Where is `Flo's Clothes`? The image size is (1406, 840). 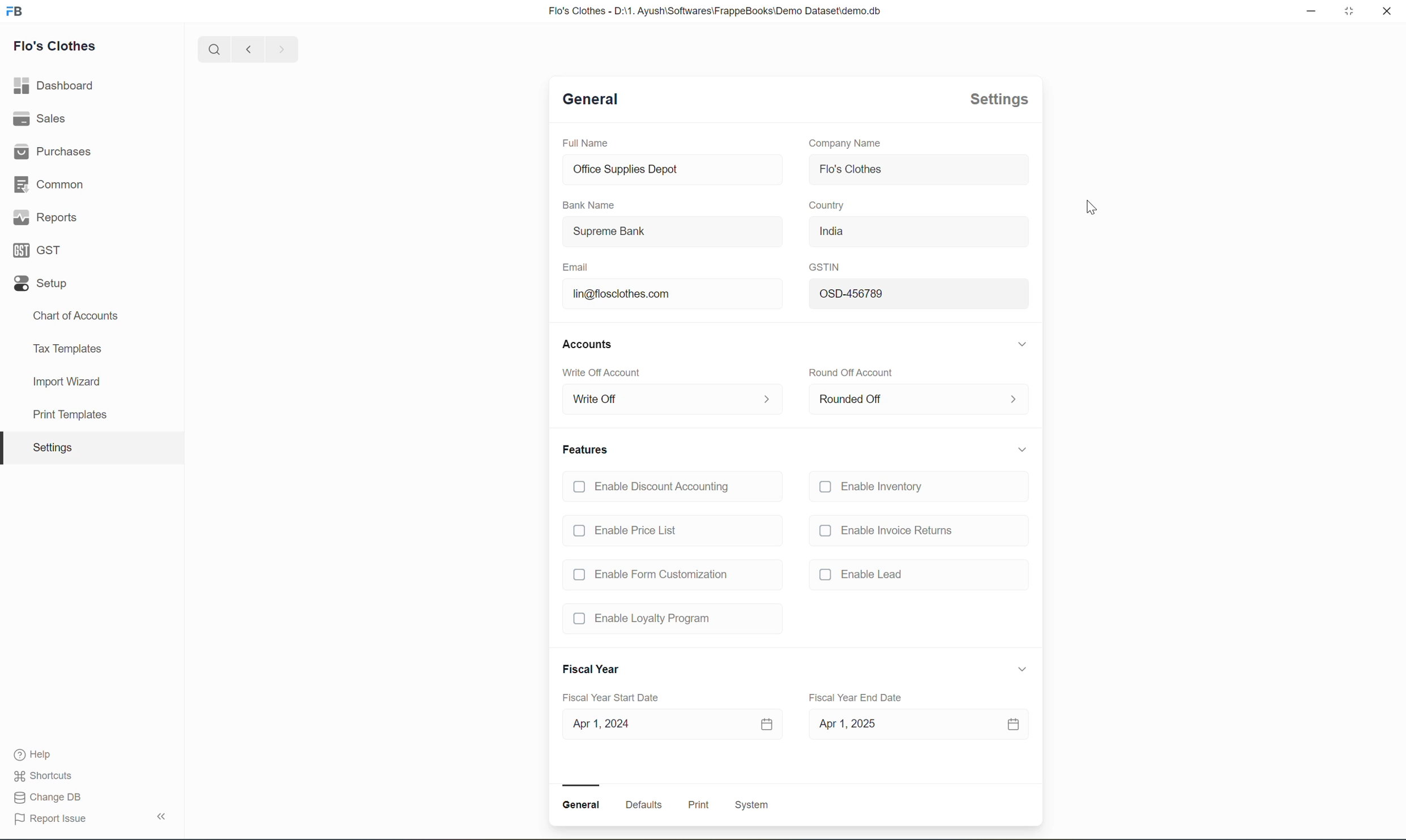
Flo's Clothes is located at coordinates (918, 171).